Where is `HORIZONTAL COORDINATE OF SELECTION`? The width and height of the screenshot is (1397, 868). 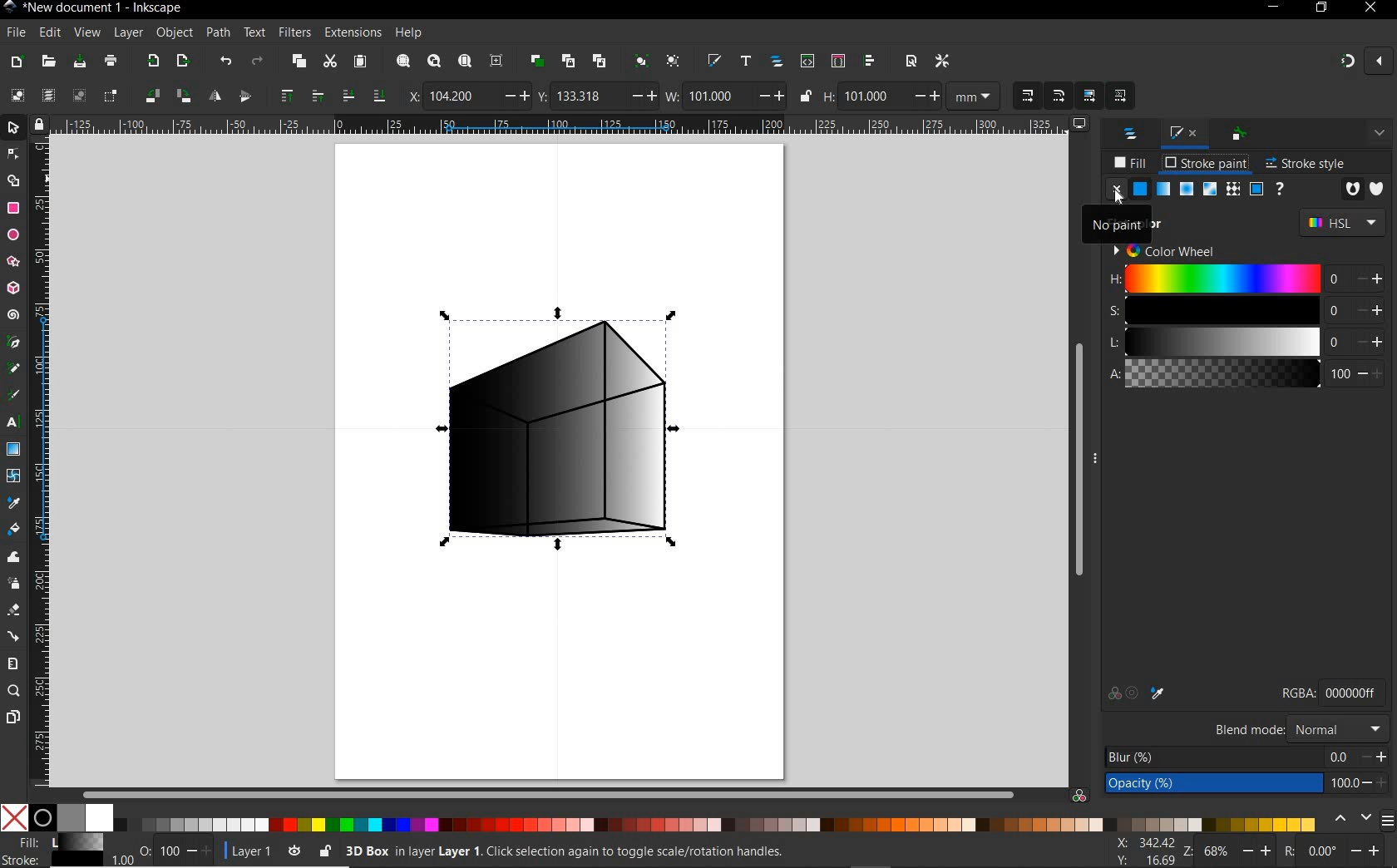 HORIZONTAL COORDINATE OF SELECTION is located at coordinates (410, 96).